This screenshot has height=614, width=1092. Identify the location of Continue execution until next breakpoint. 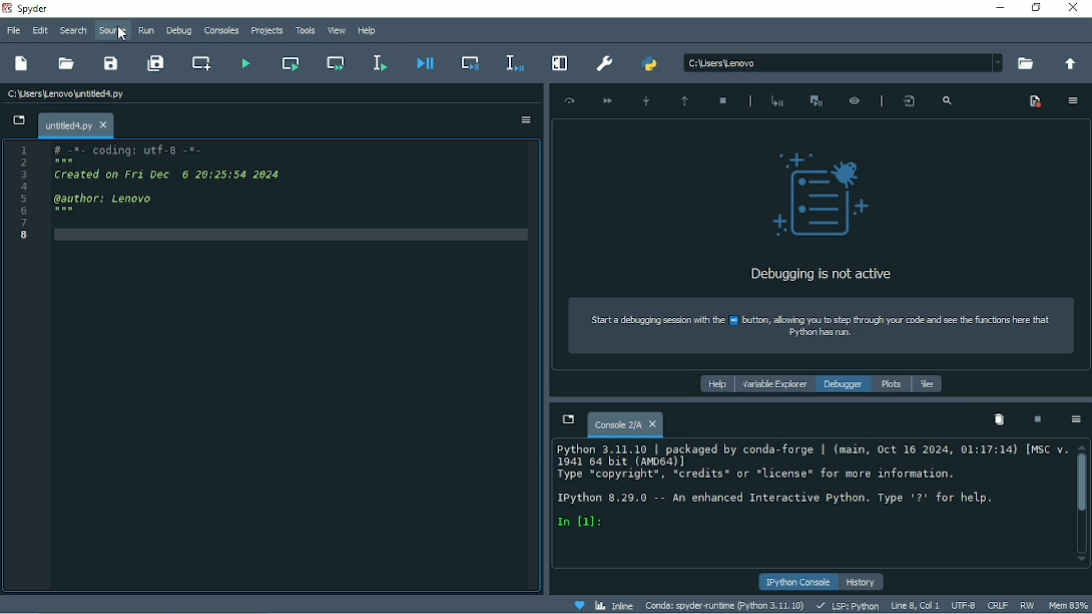
(608, 101).